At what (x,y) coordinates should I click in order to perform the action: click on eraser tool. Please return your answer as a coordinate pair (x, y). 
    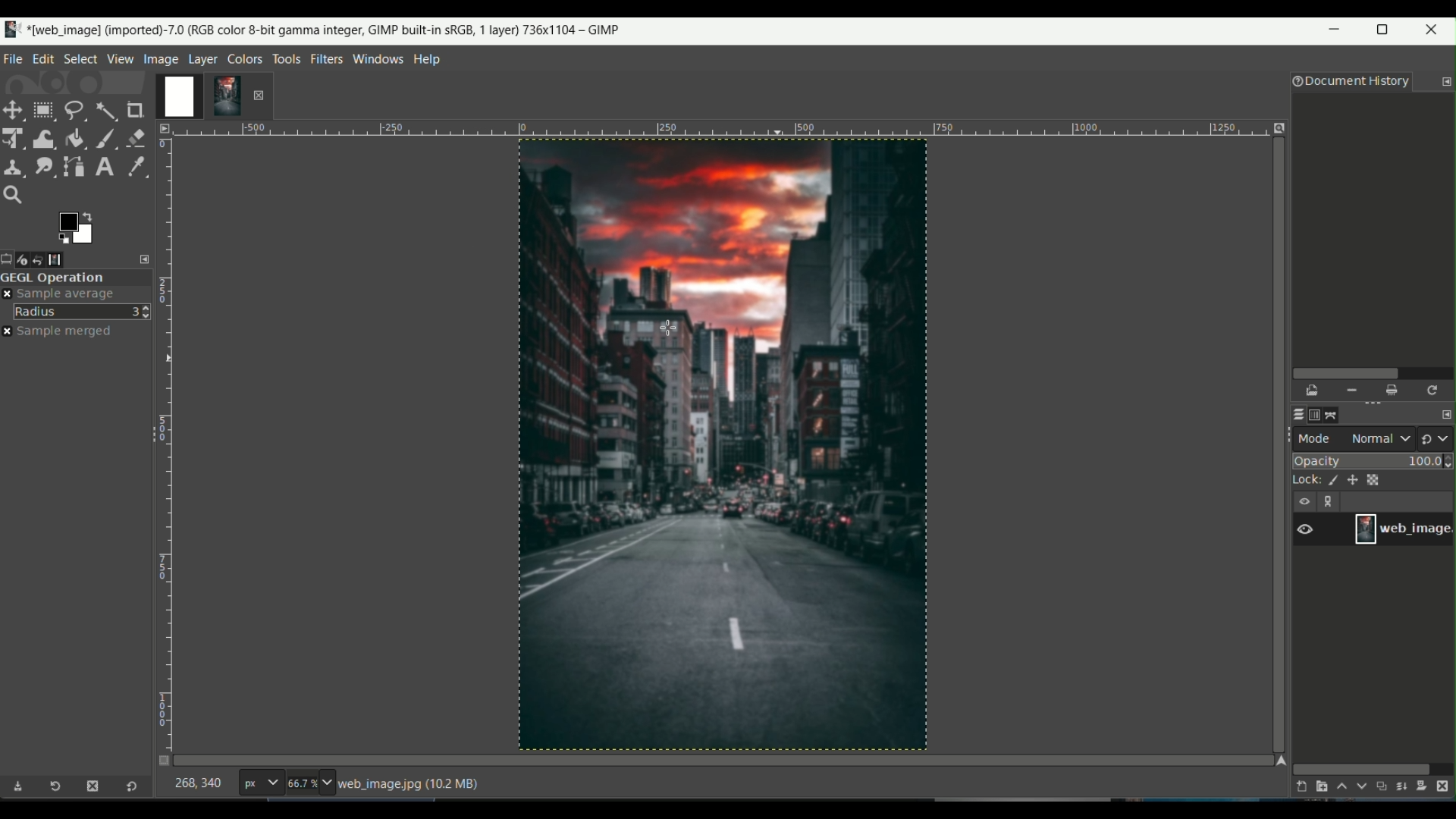
    Looking at the image, I should click on (137, 136).